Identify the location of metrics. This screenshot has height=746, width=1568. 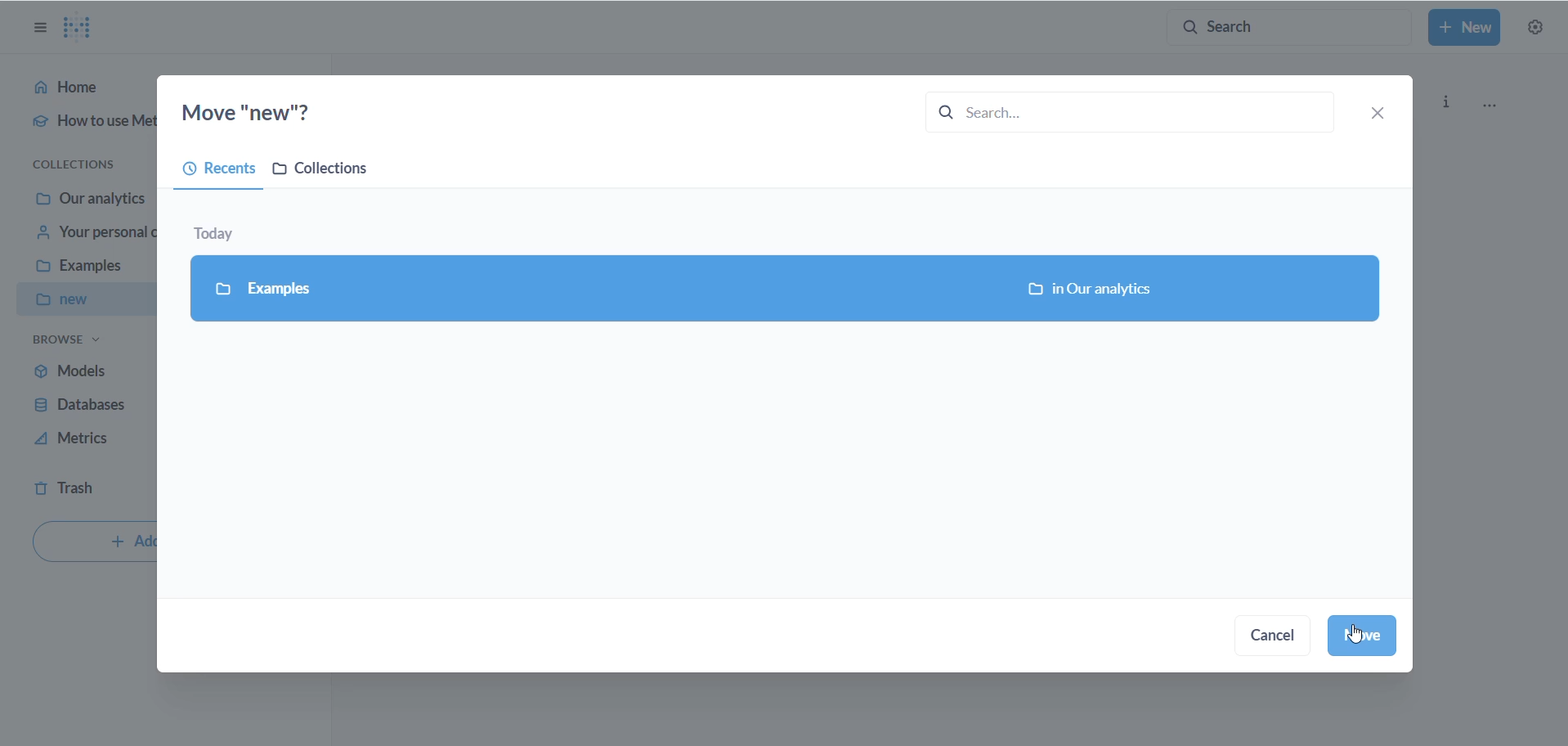
(81, 443).